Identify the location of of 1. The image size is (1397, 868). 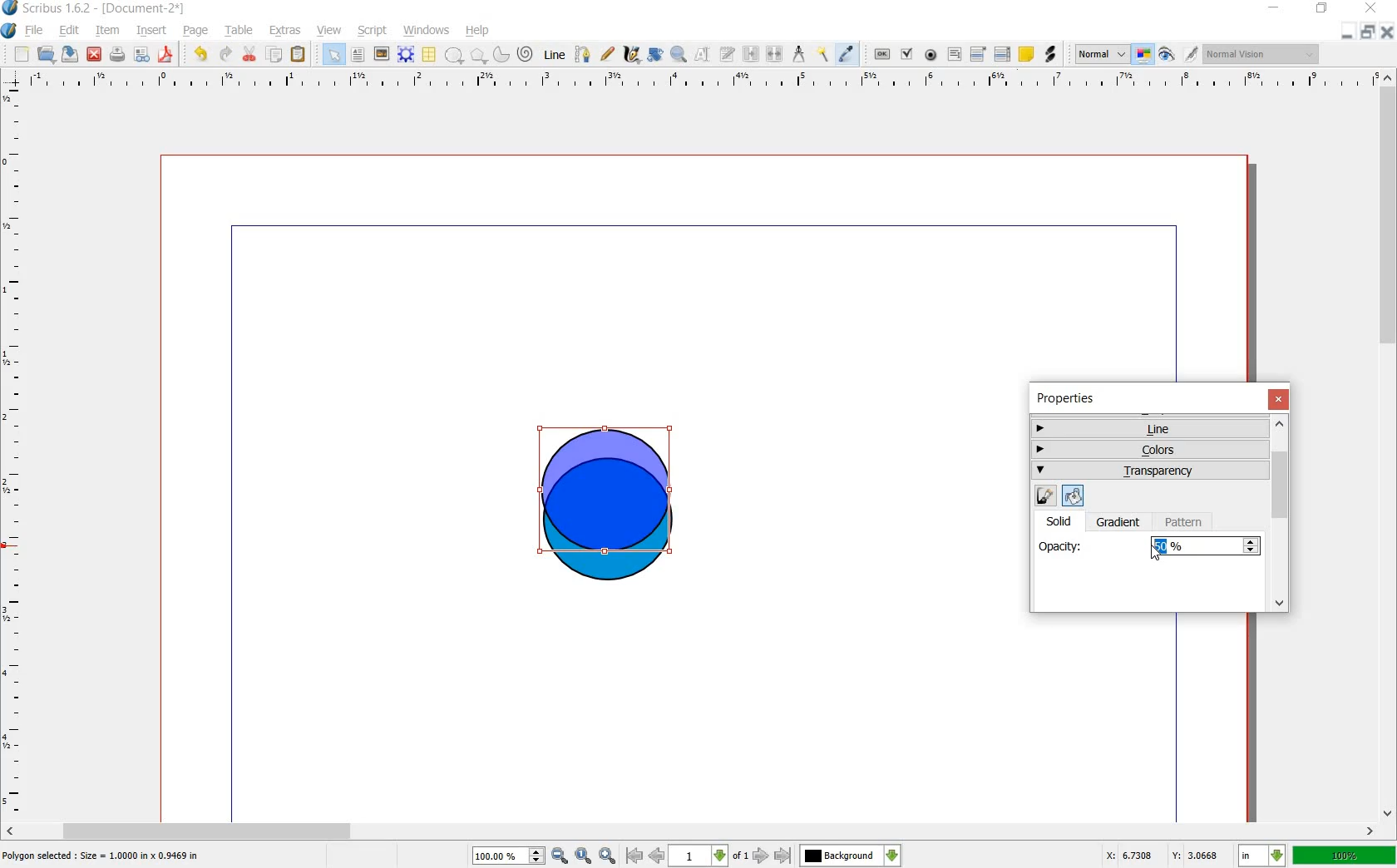
(740, 856).